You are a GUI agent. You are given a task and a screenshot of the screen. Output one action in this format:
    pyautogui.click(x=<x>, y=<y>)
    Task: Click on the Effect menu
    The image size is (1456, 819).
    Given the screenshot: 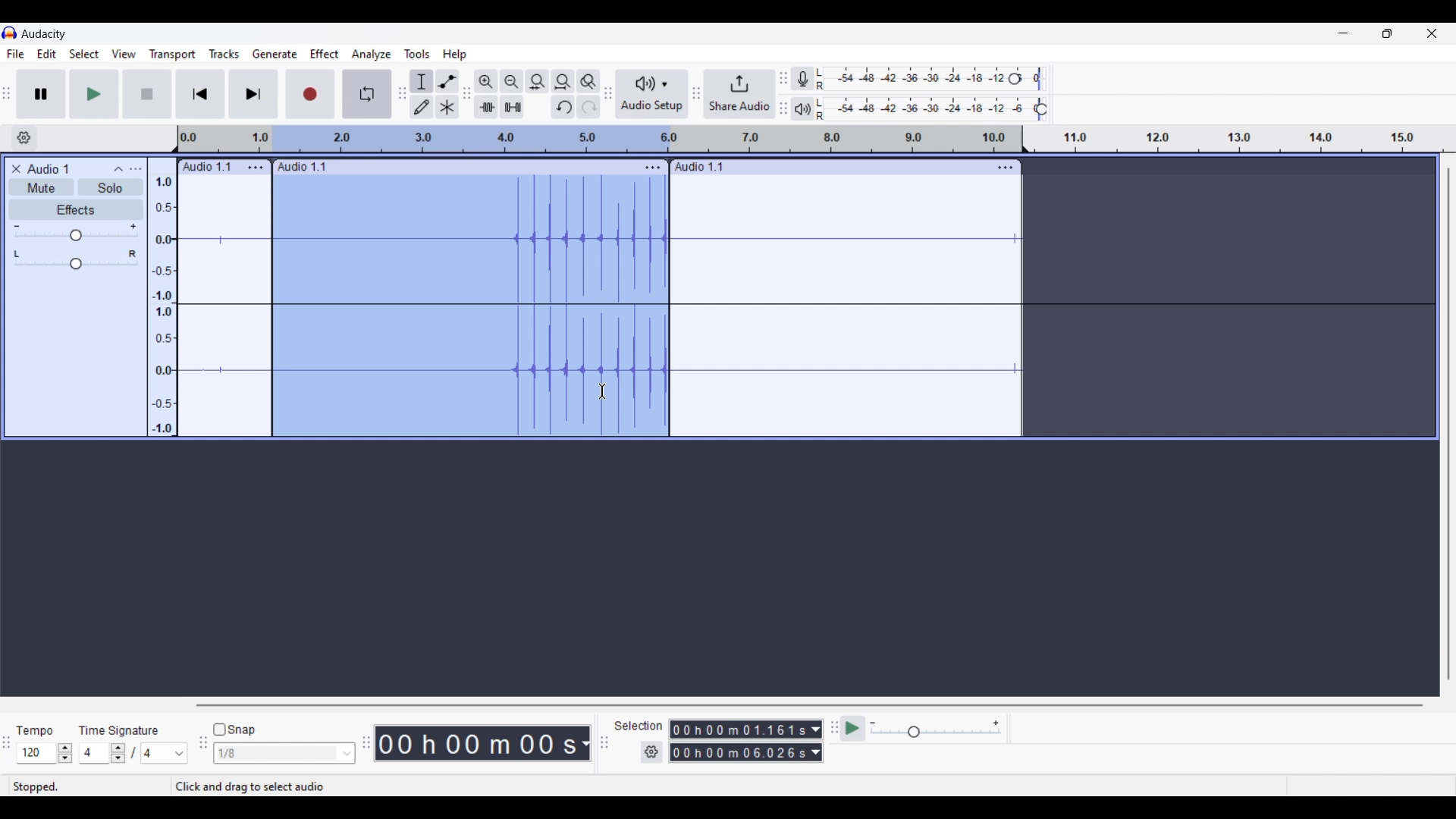 What is the action you would take?
    pyautogui.click(x=324, y=54)
    